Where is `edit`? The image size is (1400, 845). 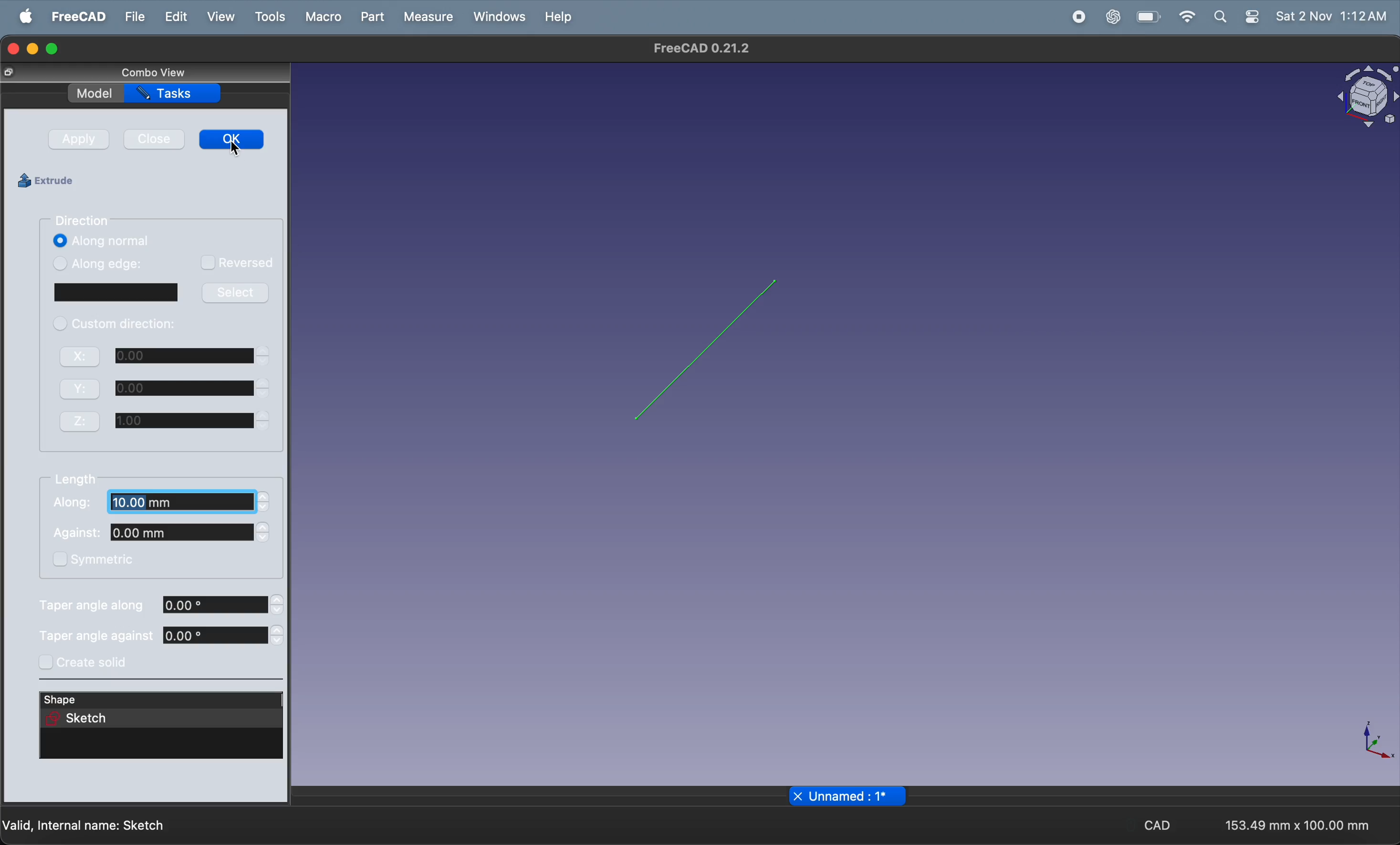
edit is located at coordinates (177, 17).